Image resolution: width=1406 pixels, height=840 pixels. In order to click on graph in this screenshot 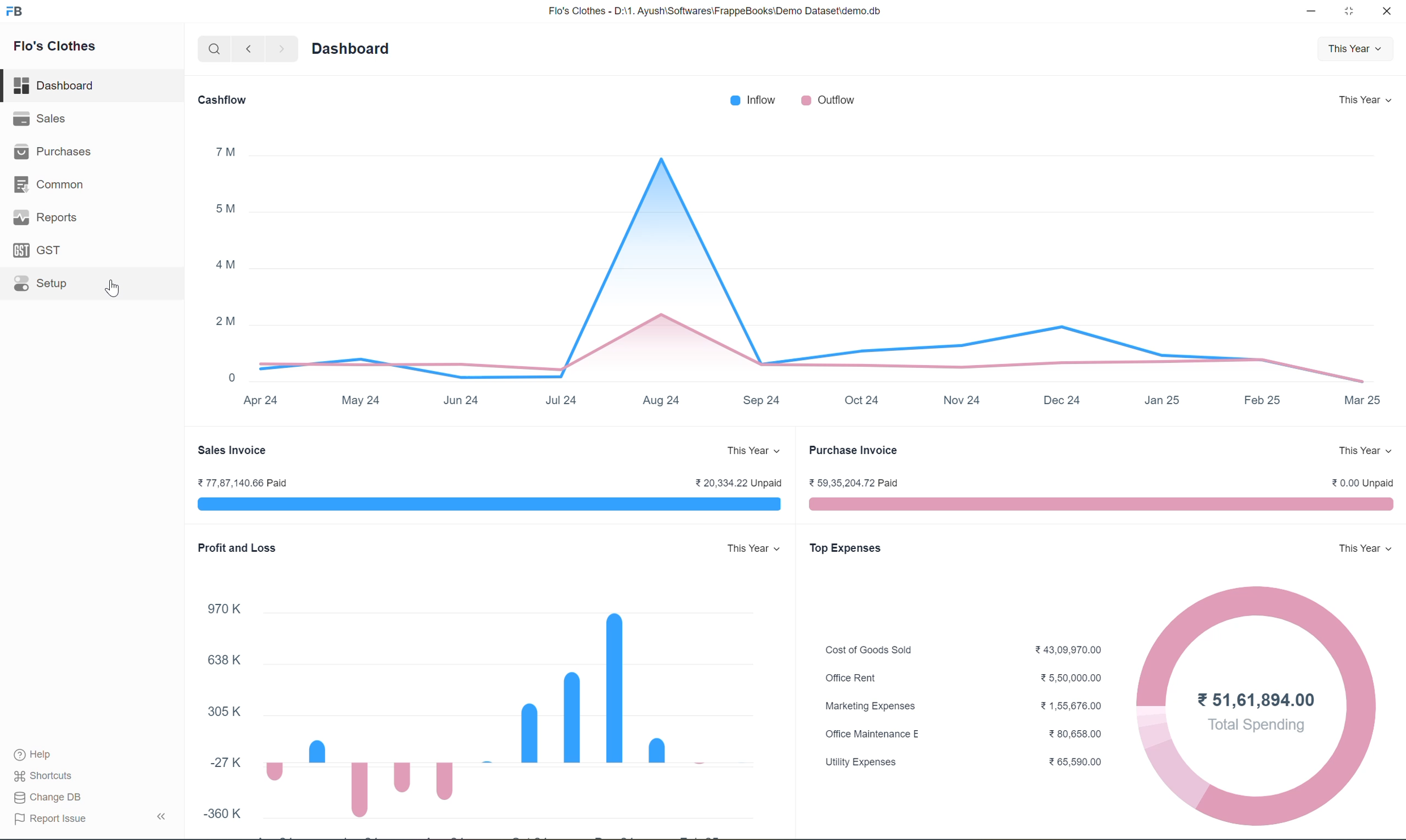, I will do `click(819, 264)`.